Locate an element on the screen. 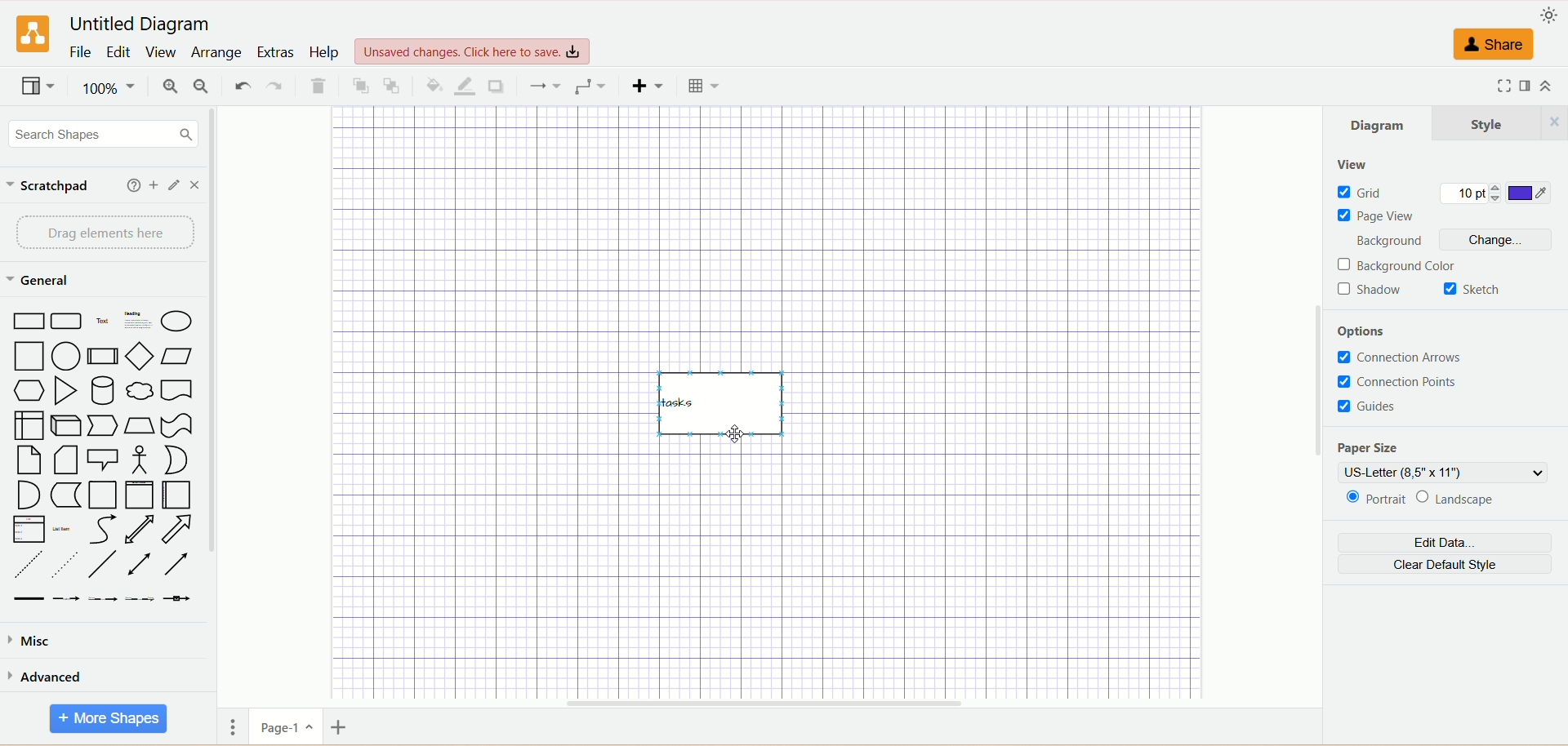  zoom in is located at coordinates (171, 87).